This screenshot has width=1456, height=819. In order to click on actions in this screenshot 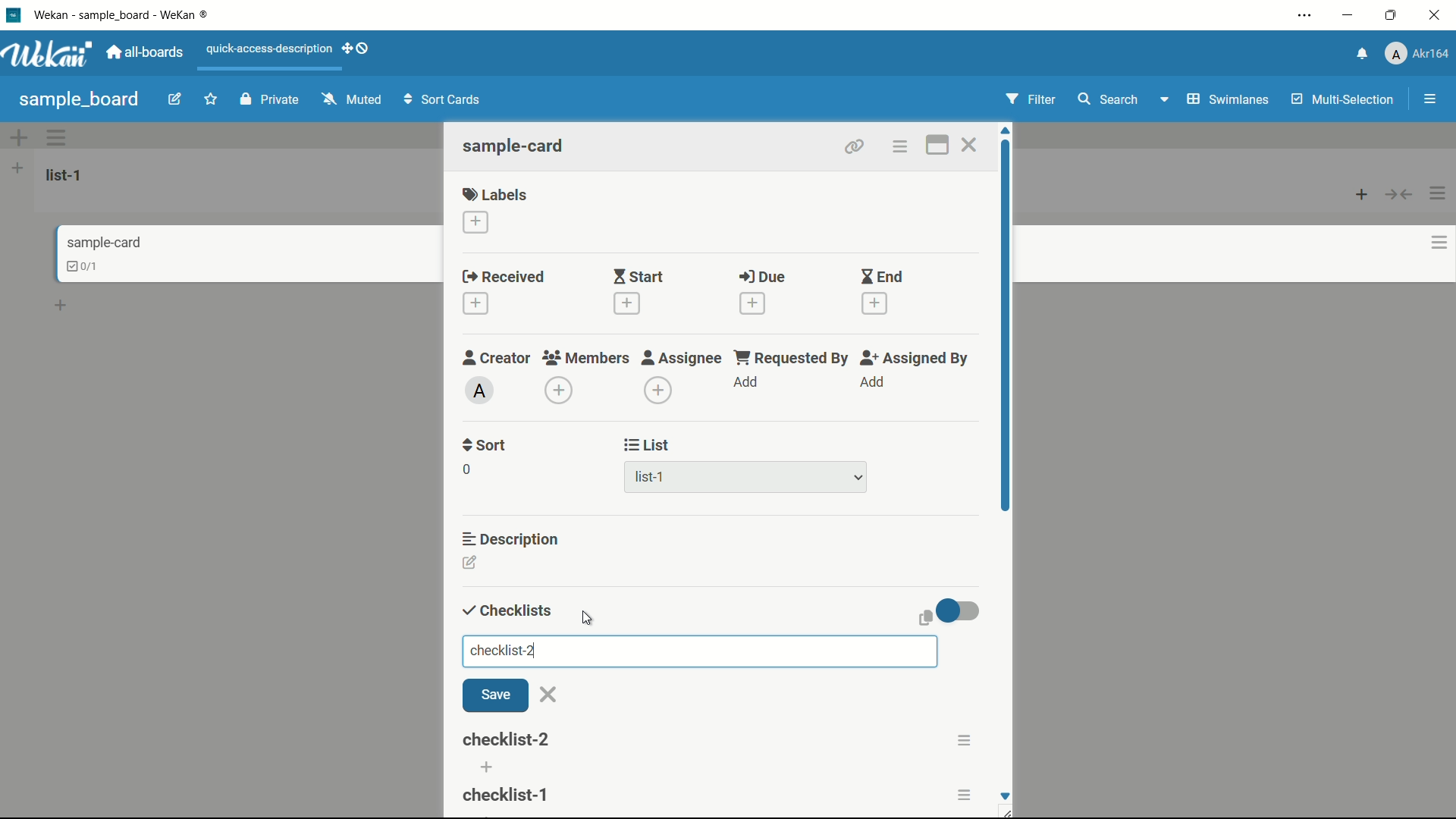, I will do `click(966, 792)`.